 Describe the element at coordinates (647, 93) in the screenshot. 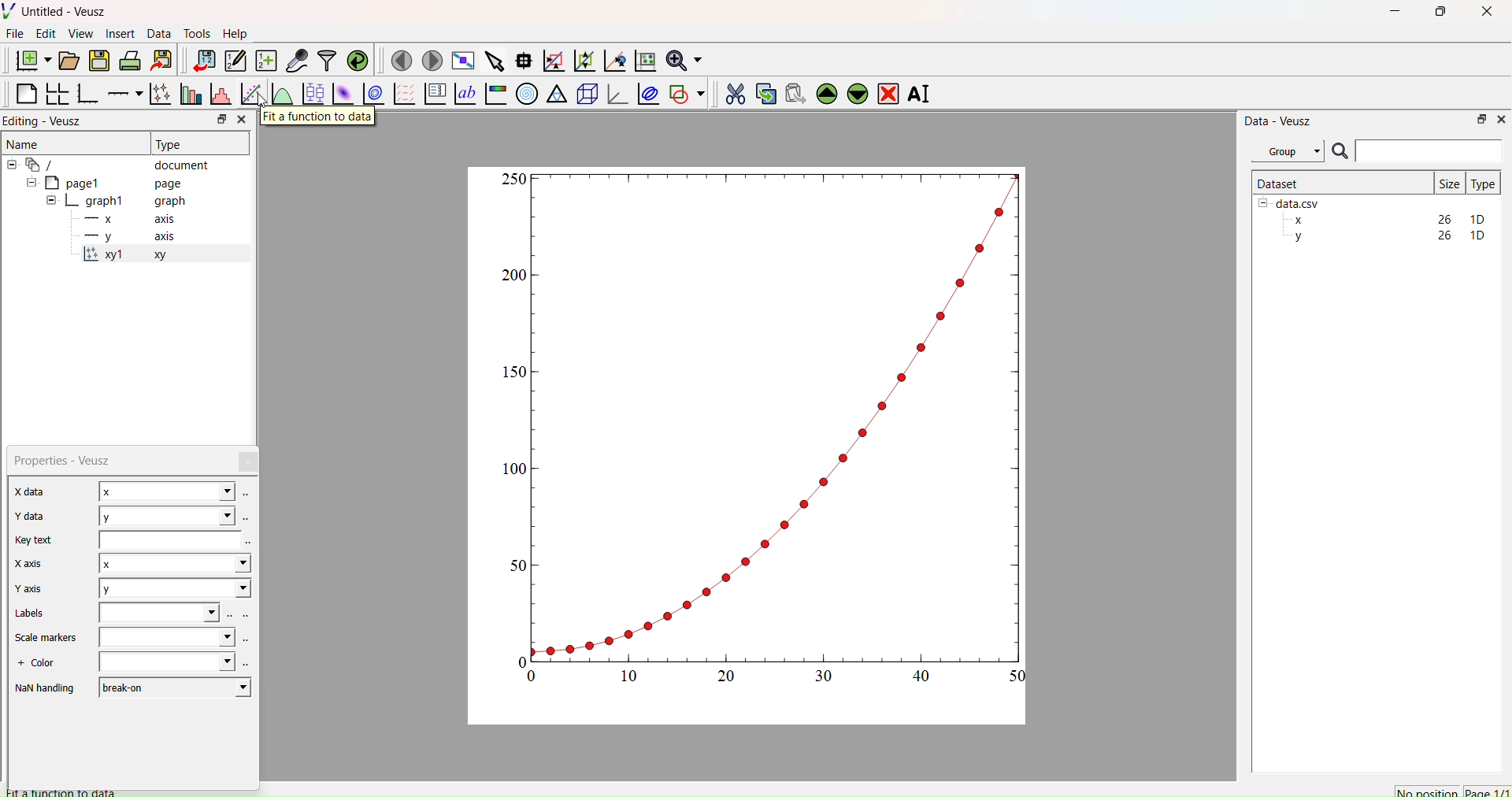

I see `Plot covariance ellipses` at that location.